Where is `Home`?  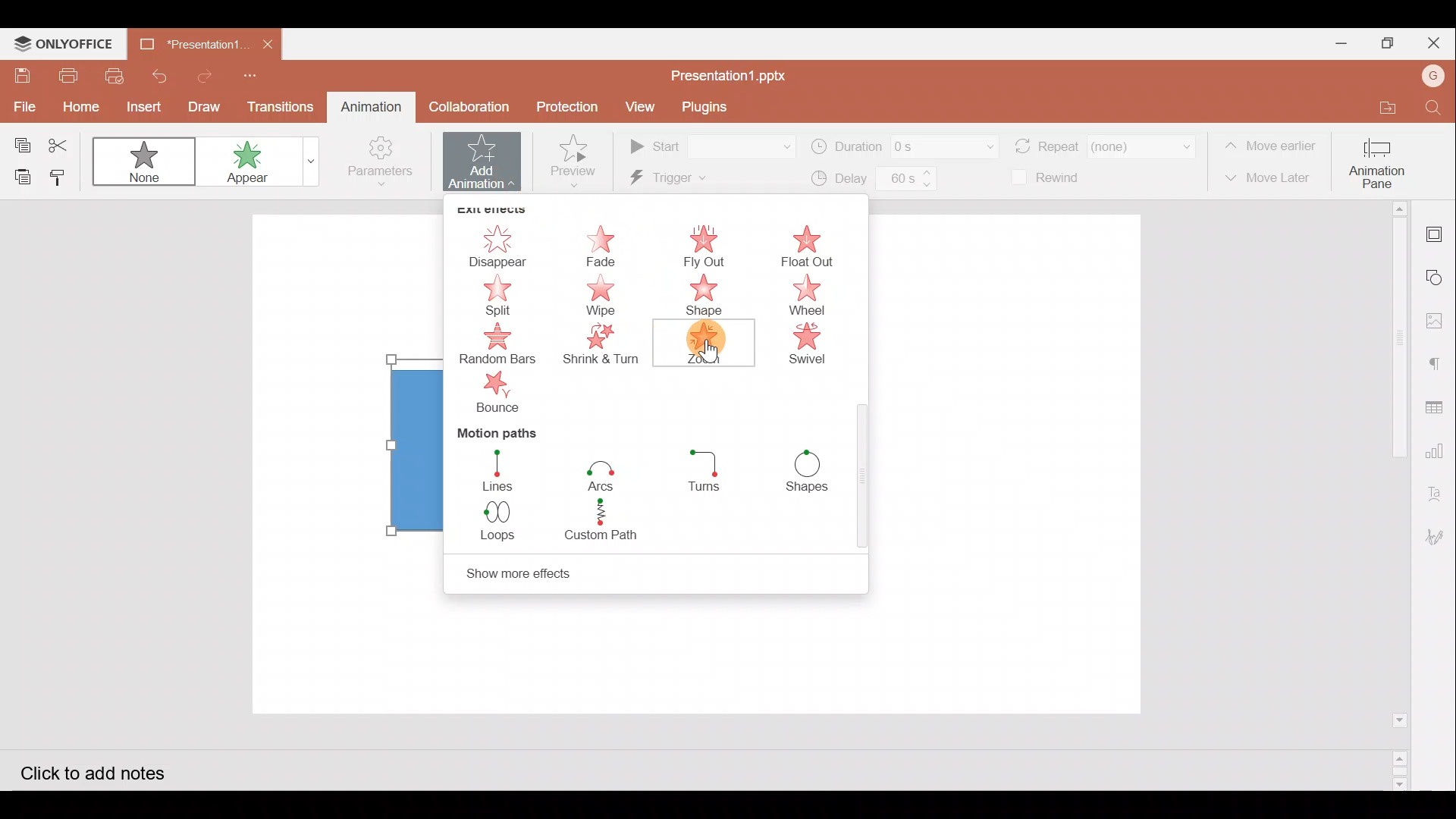 Home is located at coordinates (77, 108).